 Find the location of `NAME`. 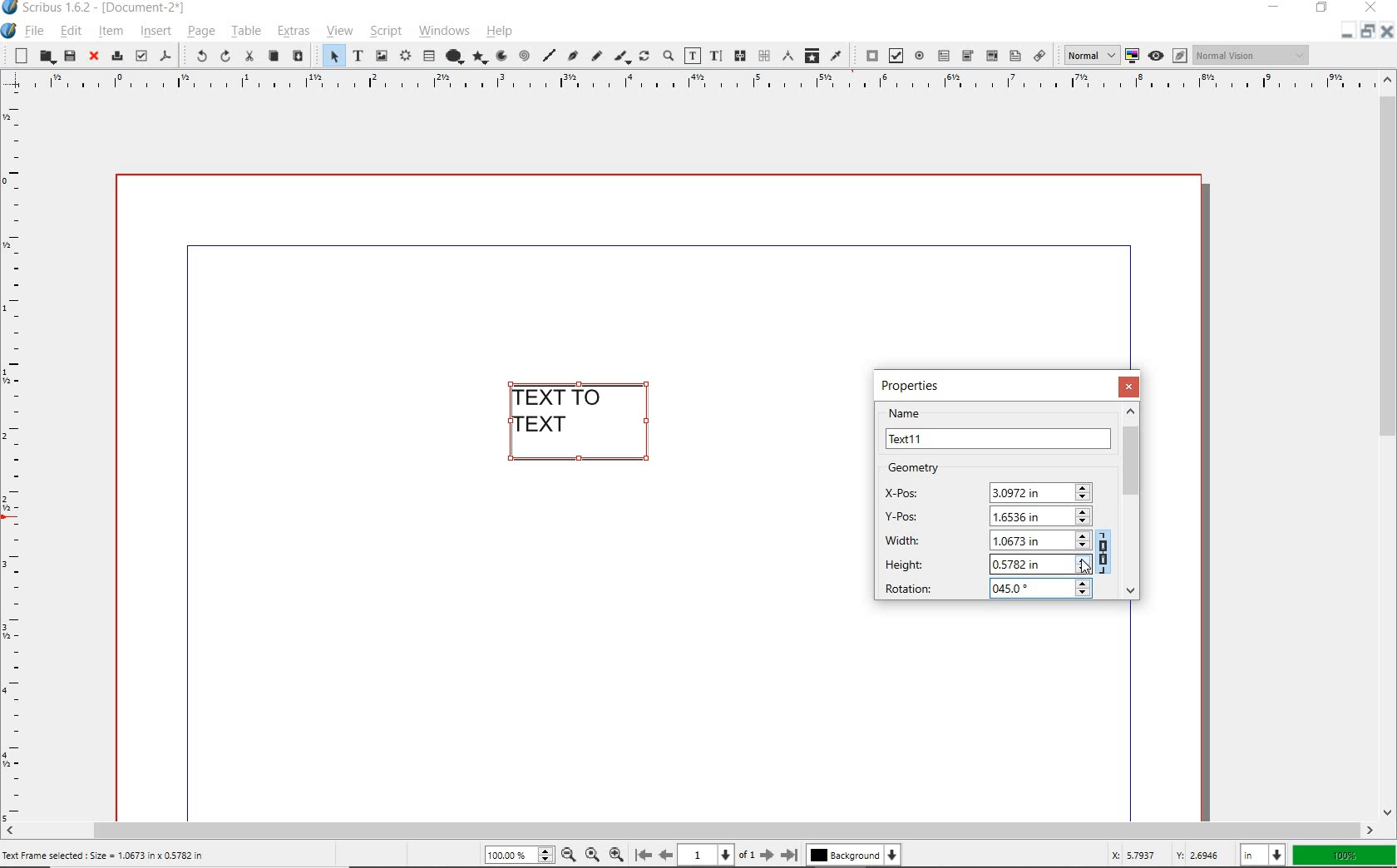

NAME is located at coordinates (999, 428).